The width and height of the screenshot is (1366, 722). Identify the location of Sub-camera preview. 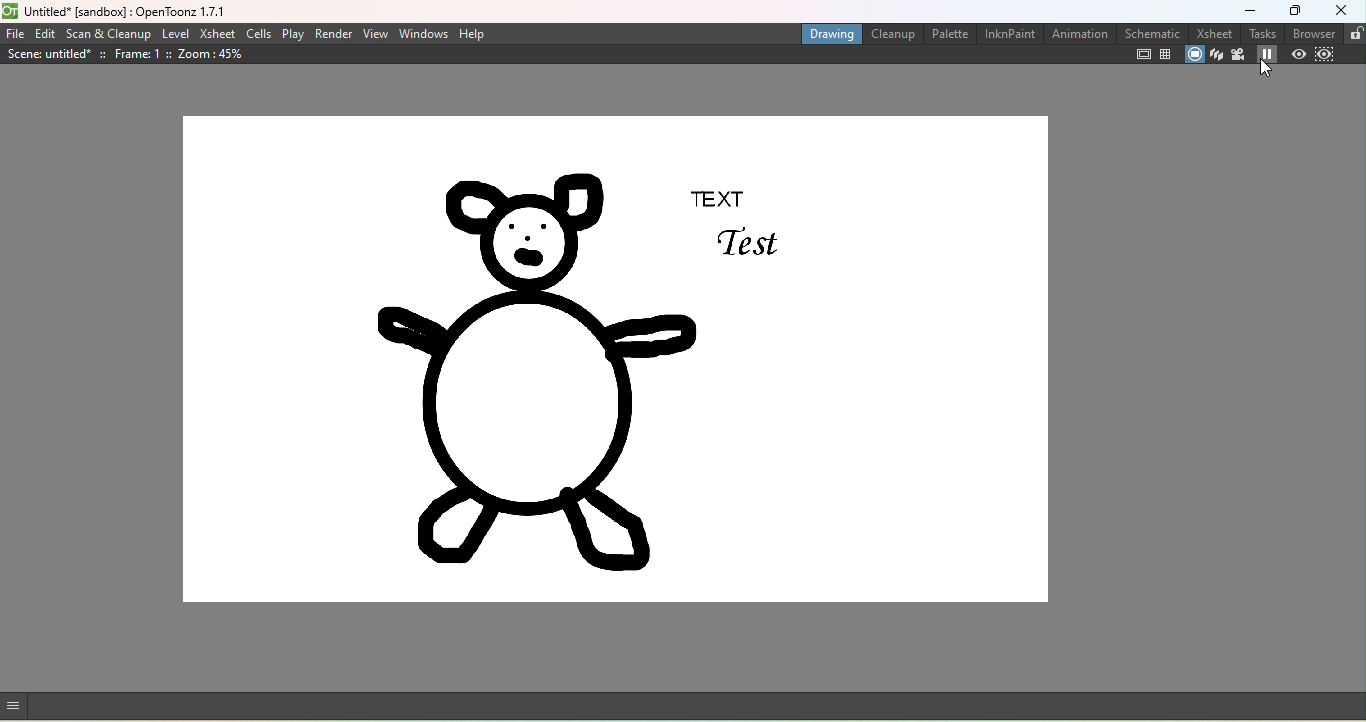
(1323, 55).